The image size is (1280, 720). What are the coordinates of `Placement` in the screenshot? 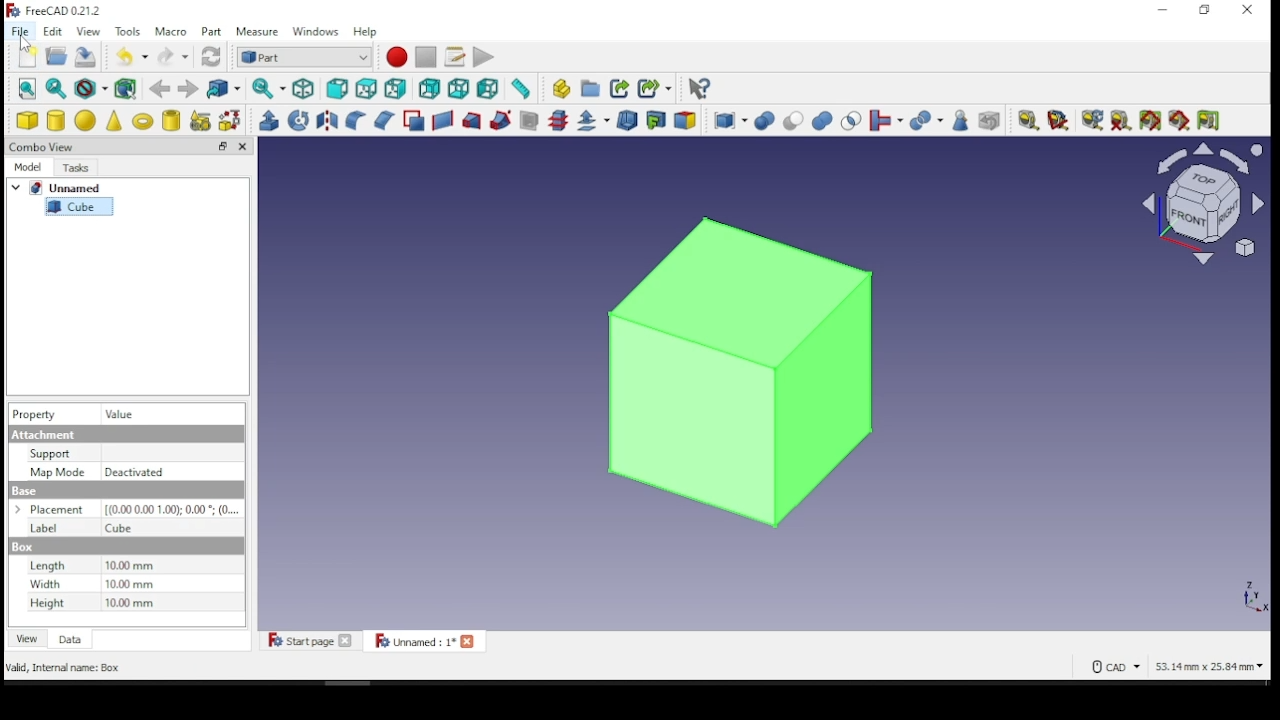 It's located at (54, 510).